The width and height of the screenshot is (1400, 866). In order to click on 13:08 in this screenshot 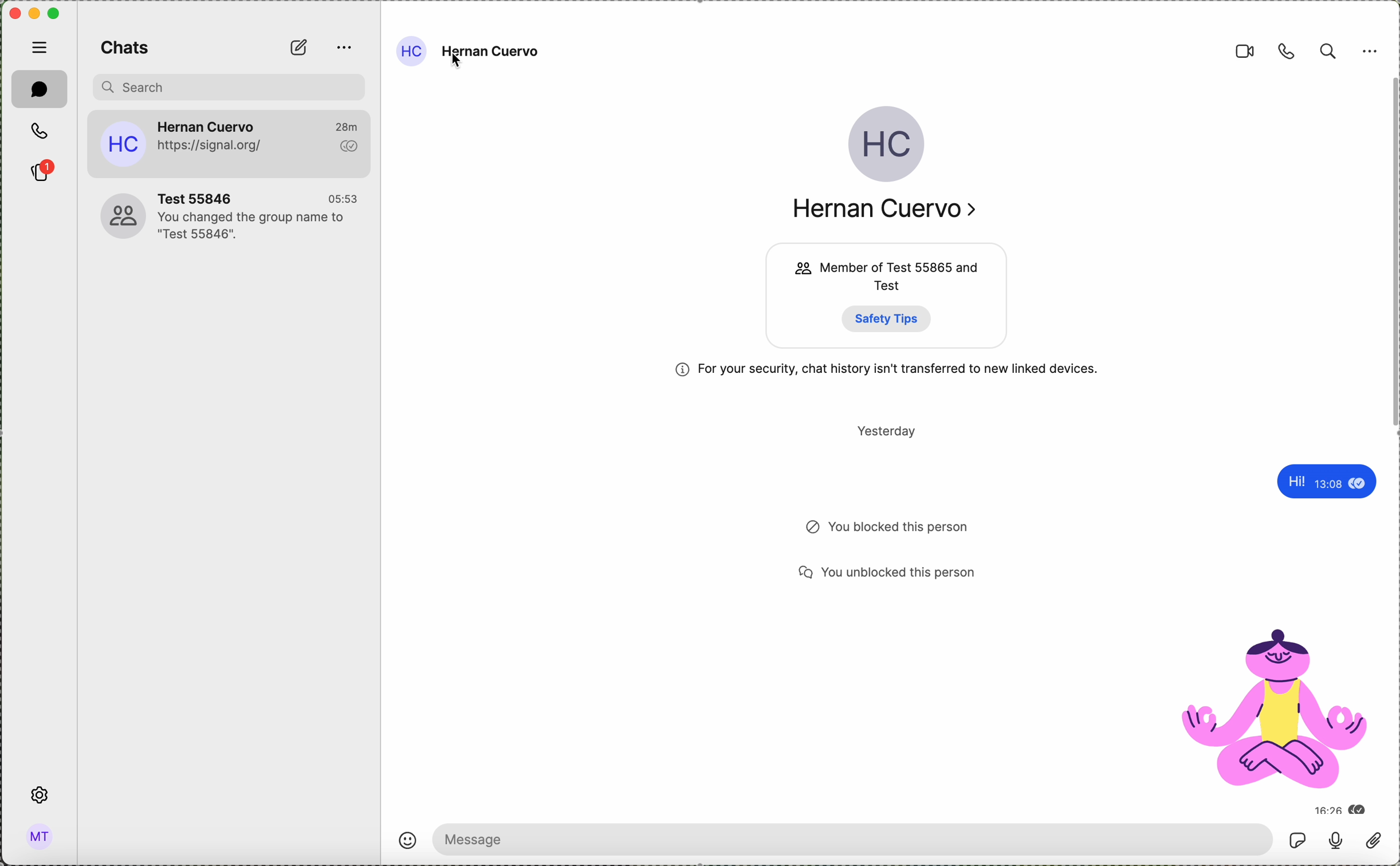, I will do `click(1327, 487)`.